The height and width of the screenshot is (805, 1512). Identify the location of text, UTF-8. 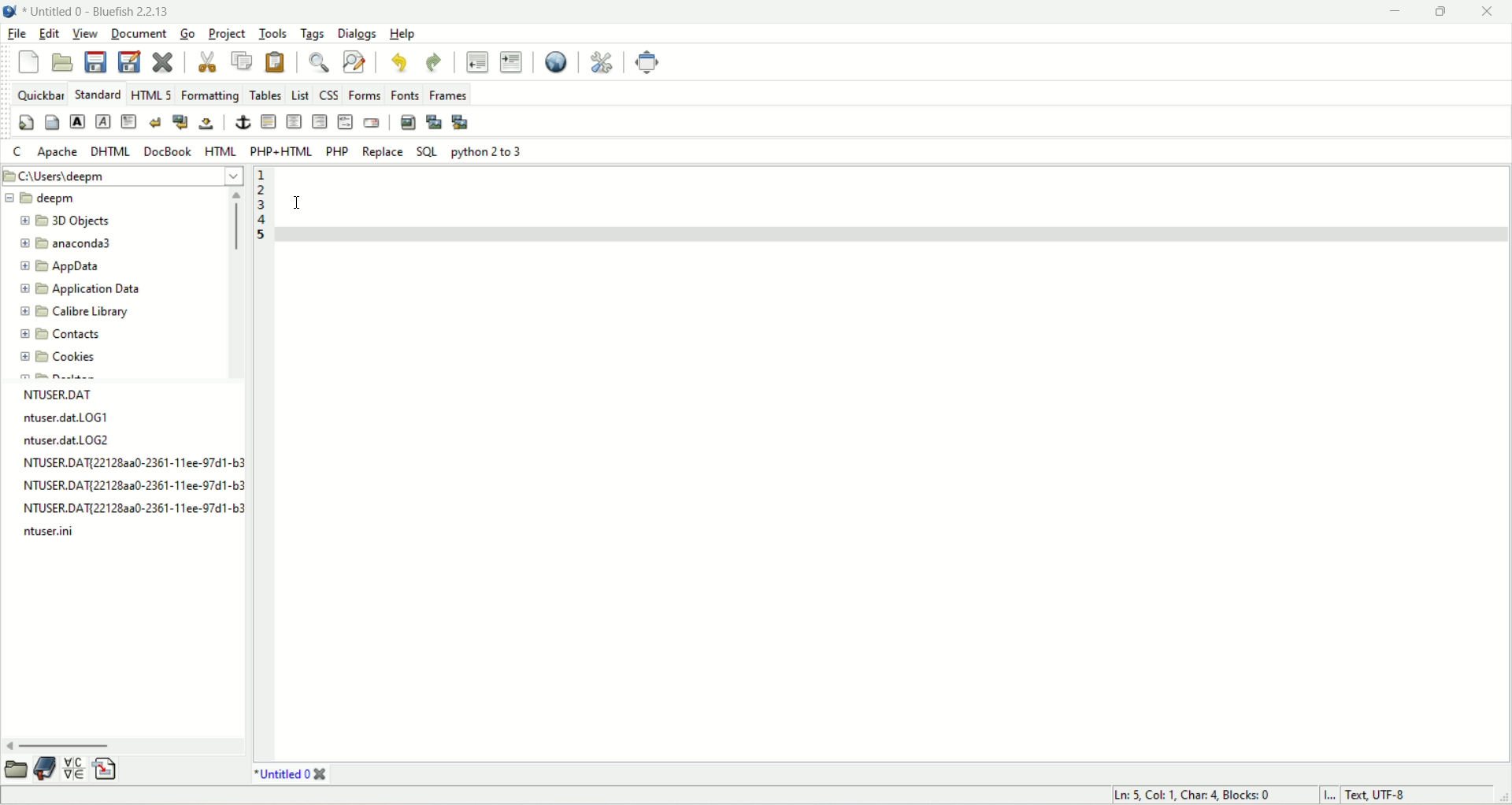
(1387, 796).